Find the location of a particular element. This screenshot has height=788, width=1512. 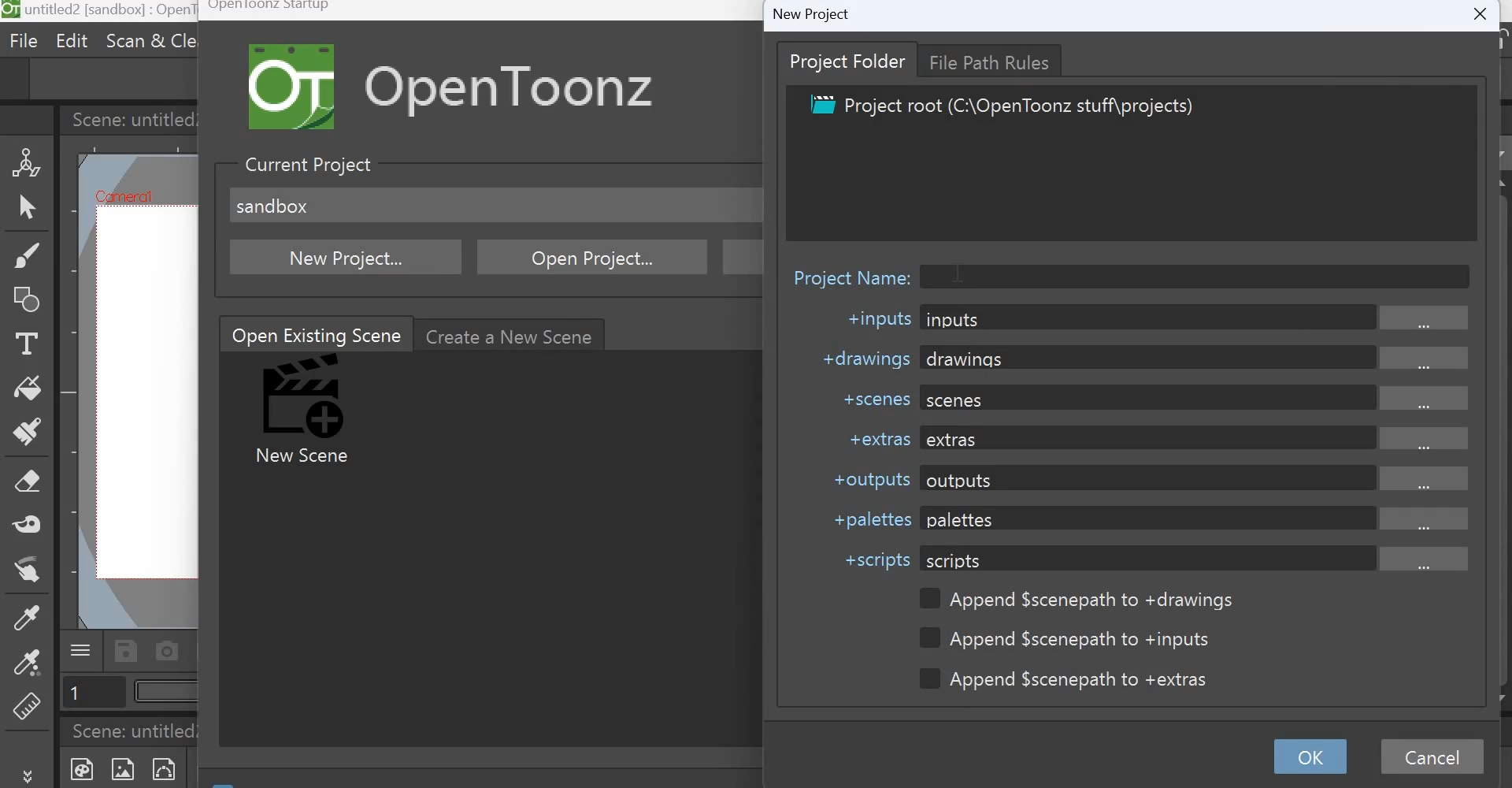

Open Project is located at coordinates (595, 257).